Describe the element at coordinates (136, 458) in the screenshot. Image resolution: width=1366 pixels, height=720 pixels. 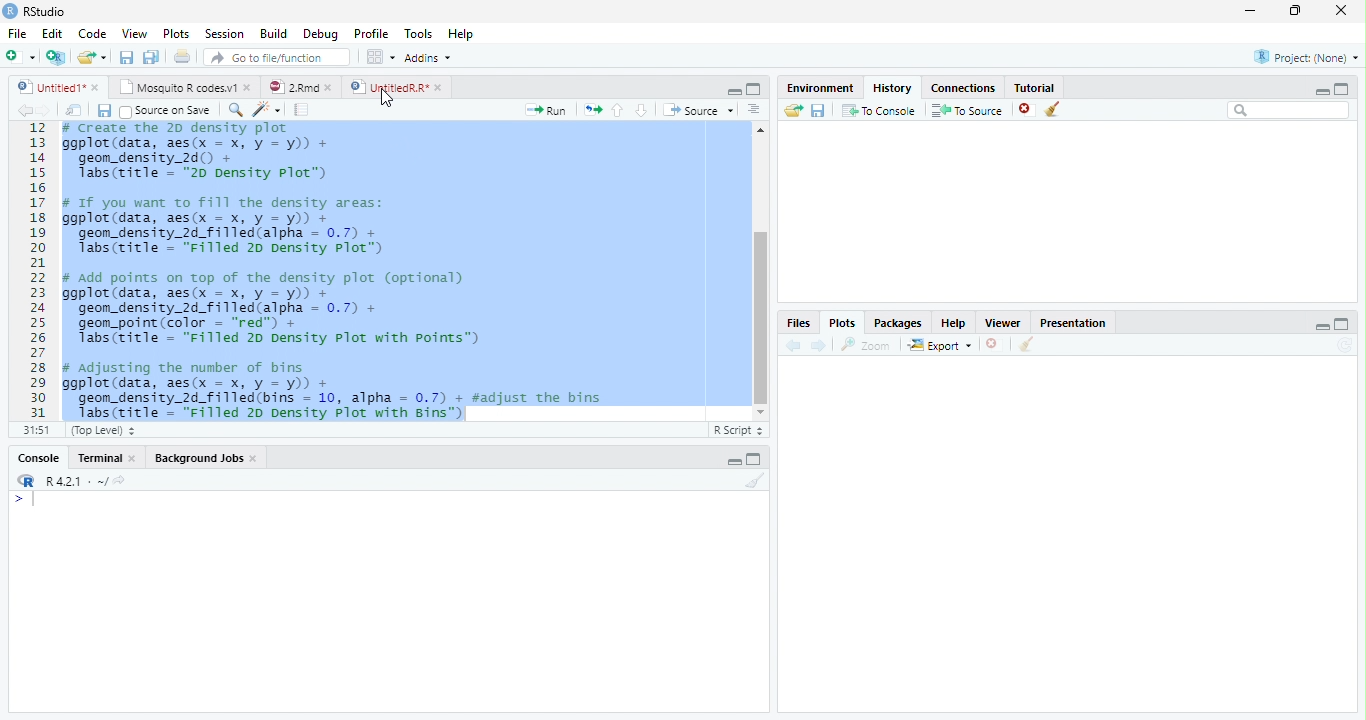
I see `close` at that location.